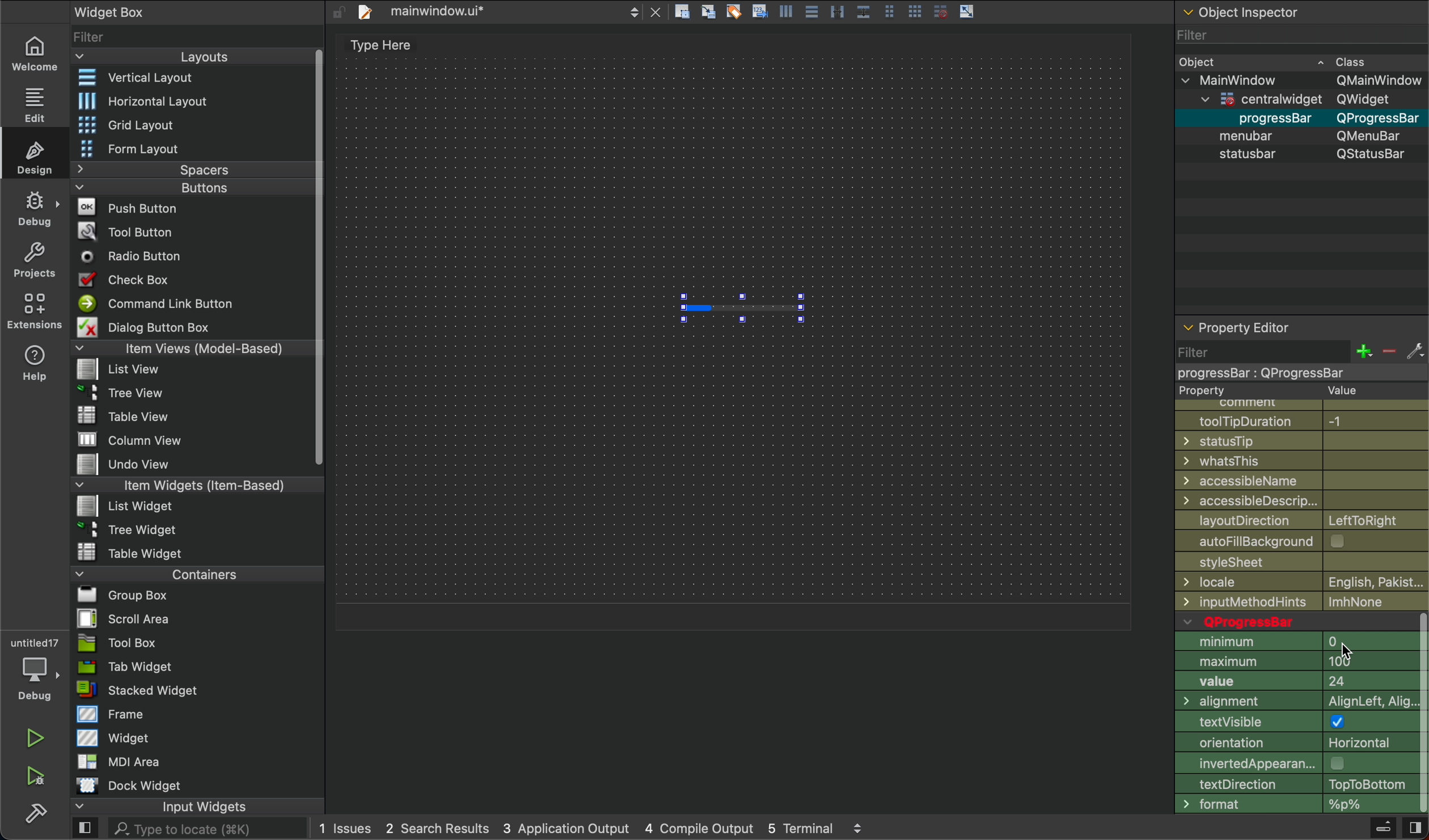 The height and width of the screenshot is (840, 1429). What do you see at coordinates (1301, 481) in the screenshot?
I see `Name Access` at bounding box center [1301, 481].